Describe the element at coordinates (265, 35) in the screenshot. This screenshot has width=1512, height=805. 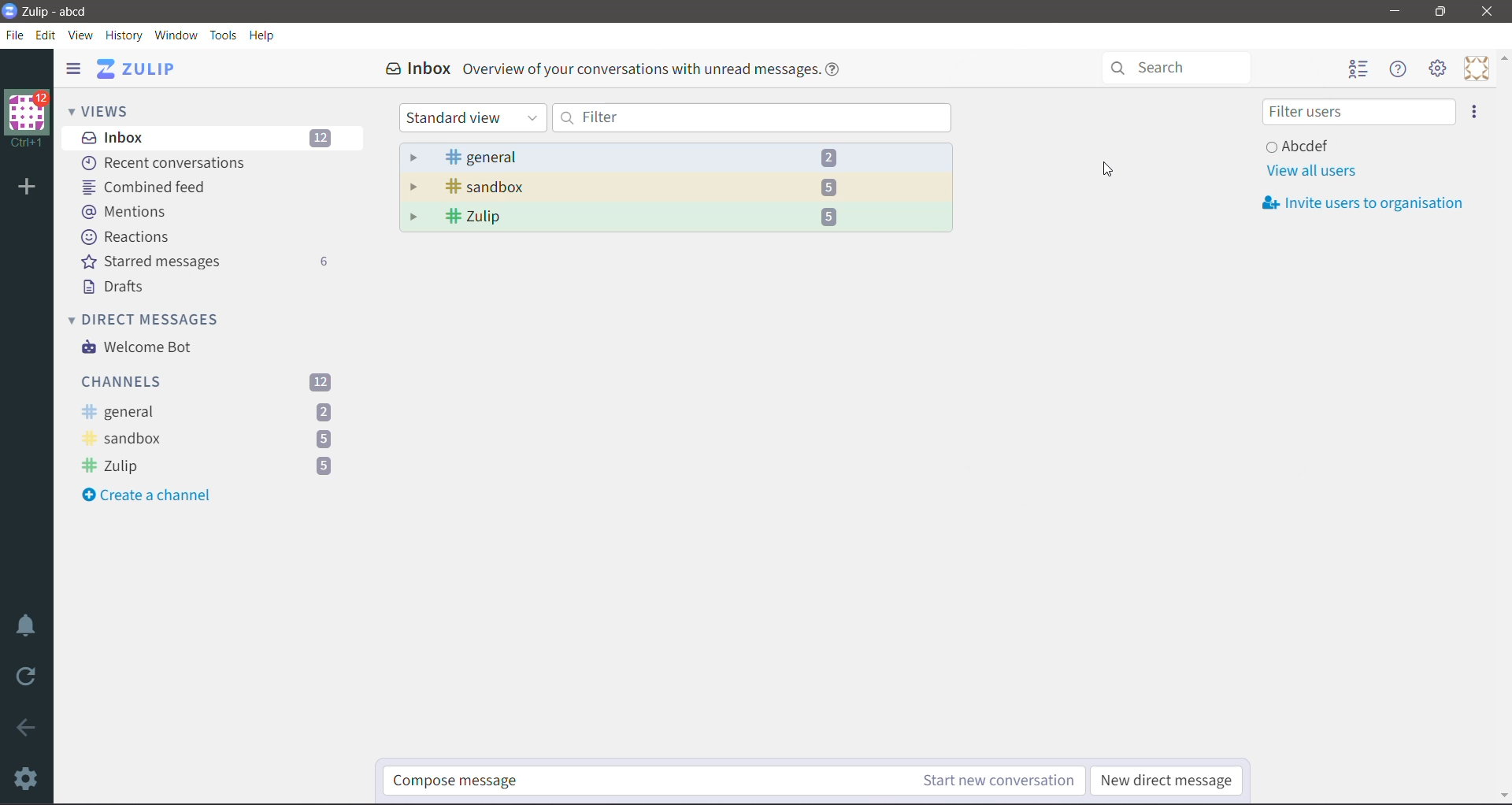
I see `Help` at that location.